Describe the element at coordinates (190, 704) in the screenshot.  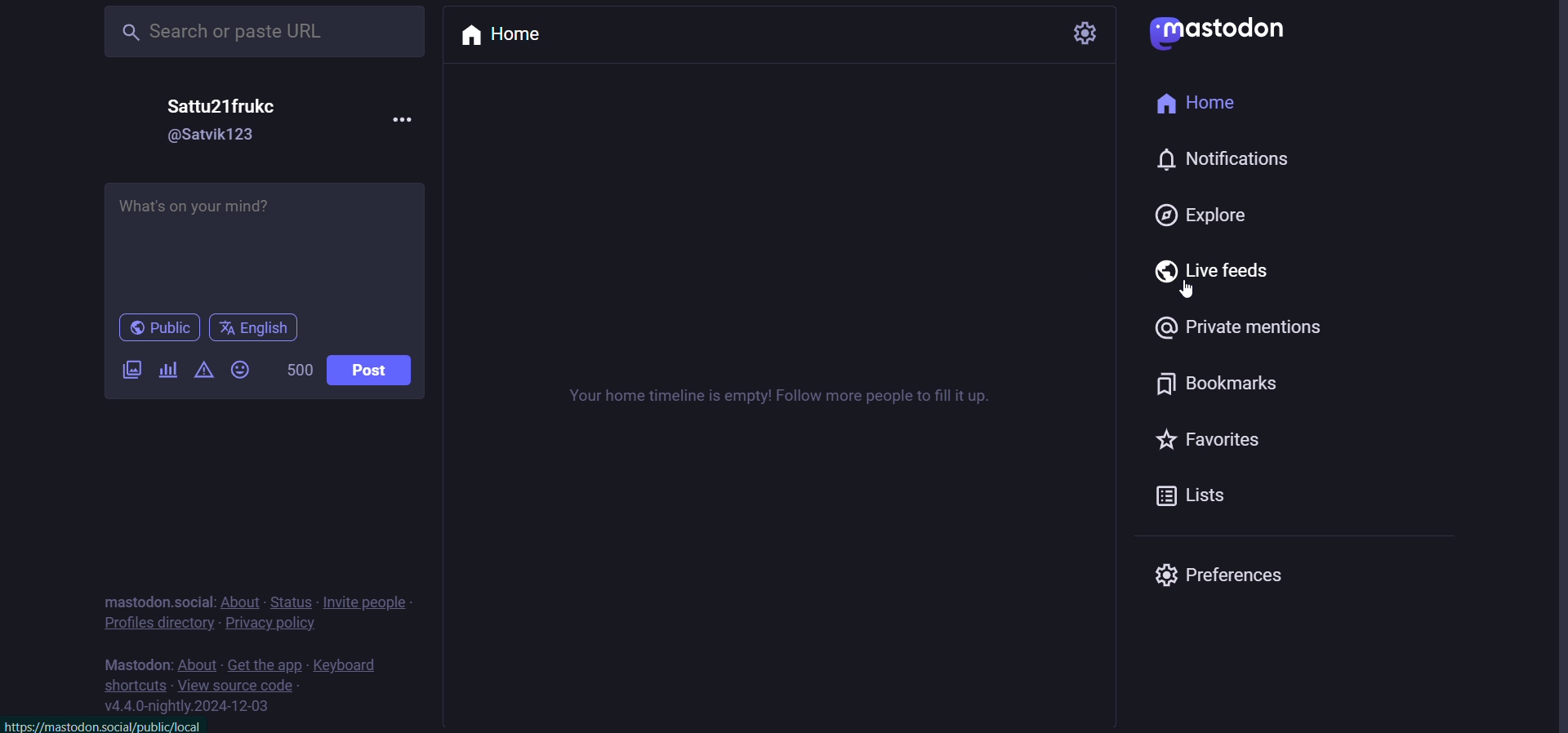
I see `v4.4.0-nightly.2024-12-03` at that location.